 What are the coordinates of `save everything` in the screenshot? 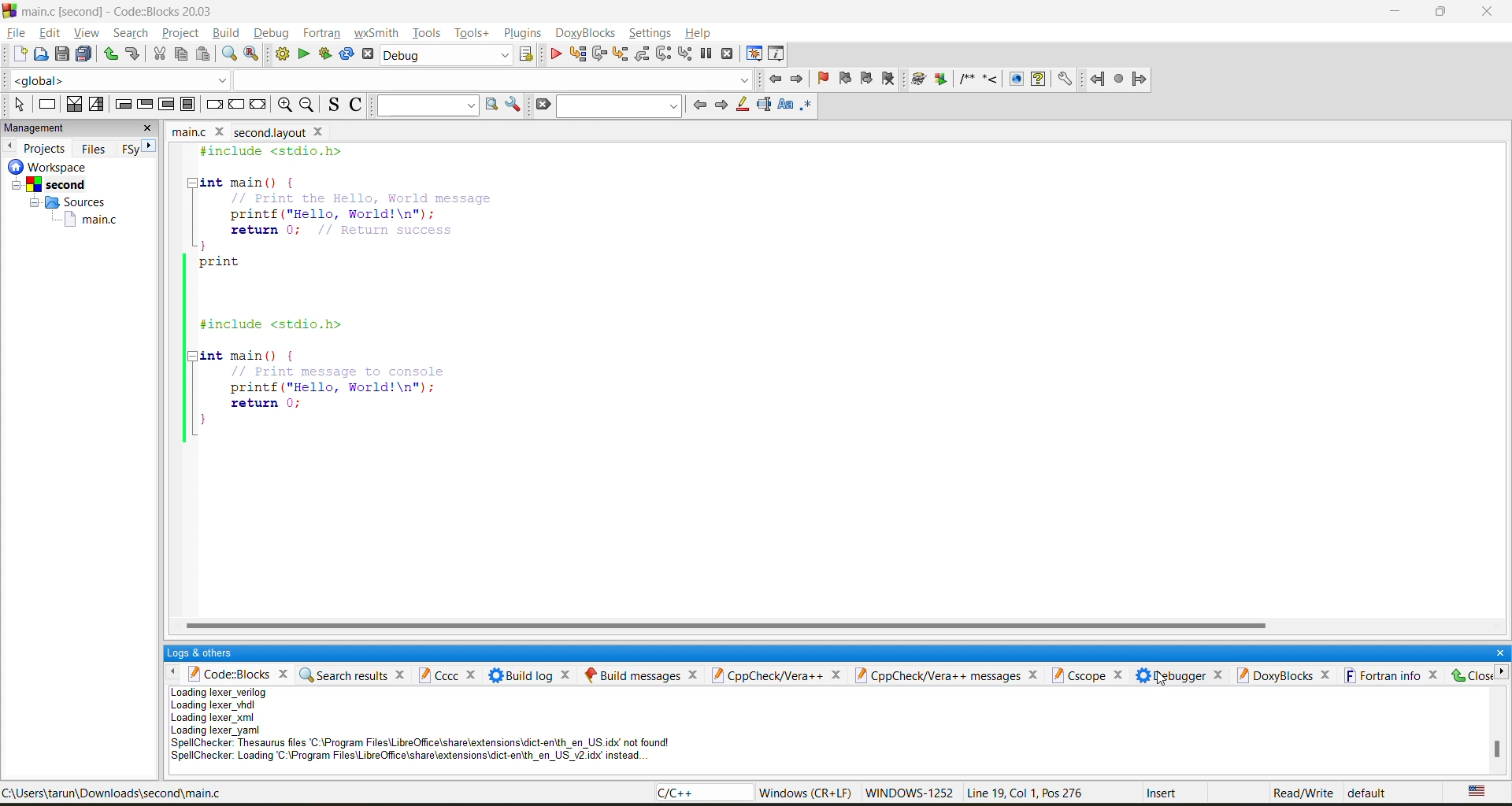 It's located at (83, 55).